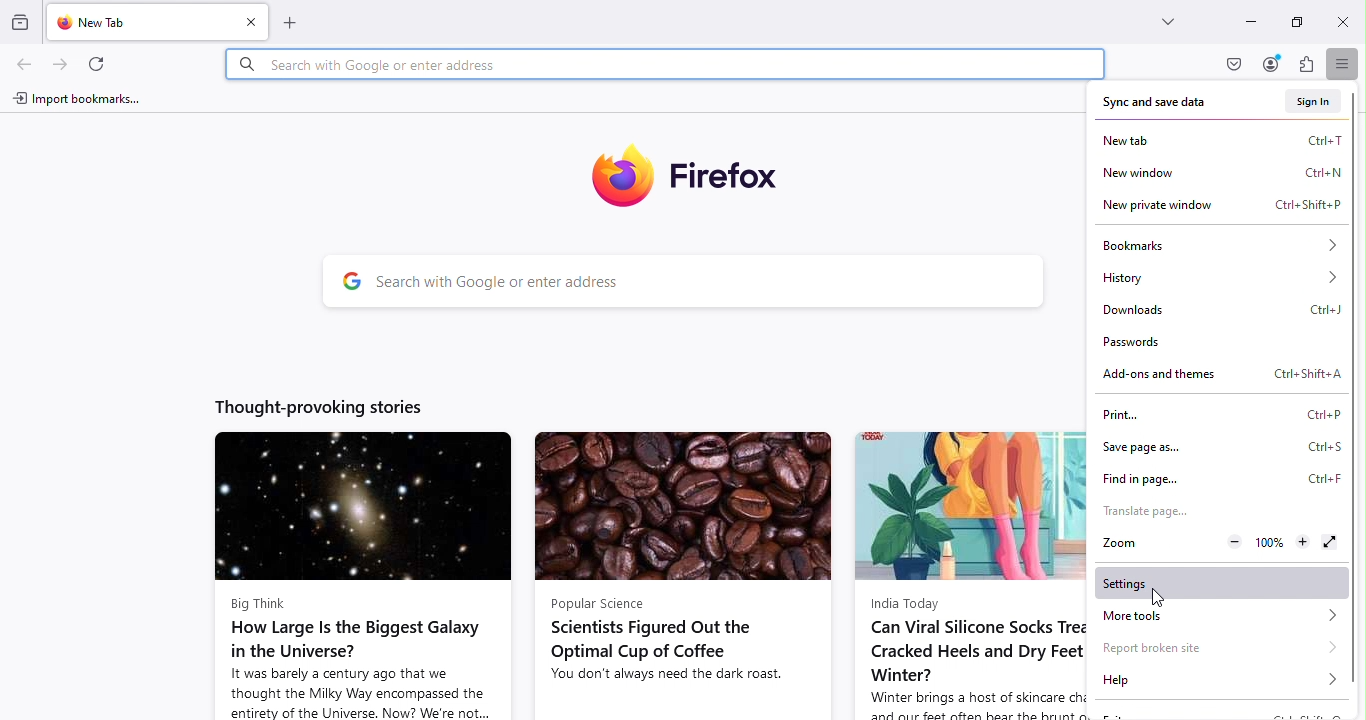  Describe the element at coordinates (1358, 415) in the screenshot. I see `Scroll bar` at that location.